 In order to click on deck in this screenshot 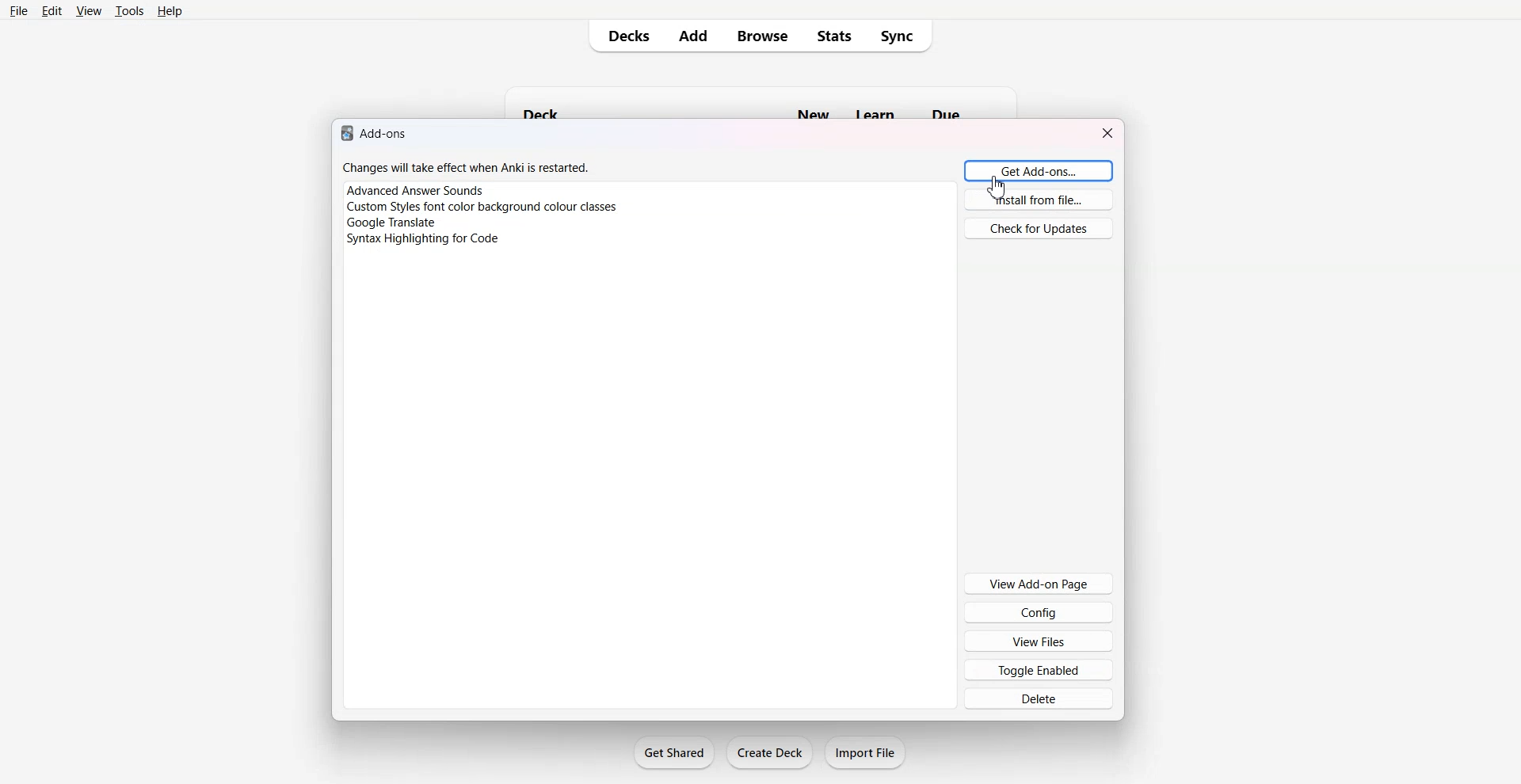, I will do `click(567, 110)`.